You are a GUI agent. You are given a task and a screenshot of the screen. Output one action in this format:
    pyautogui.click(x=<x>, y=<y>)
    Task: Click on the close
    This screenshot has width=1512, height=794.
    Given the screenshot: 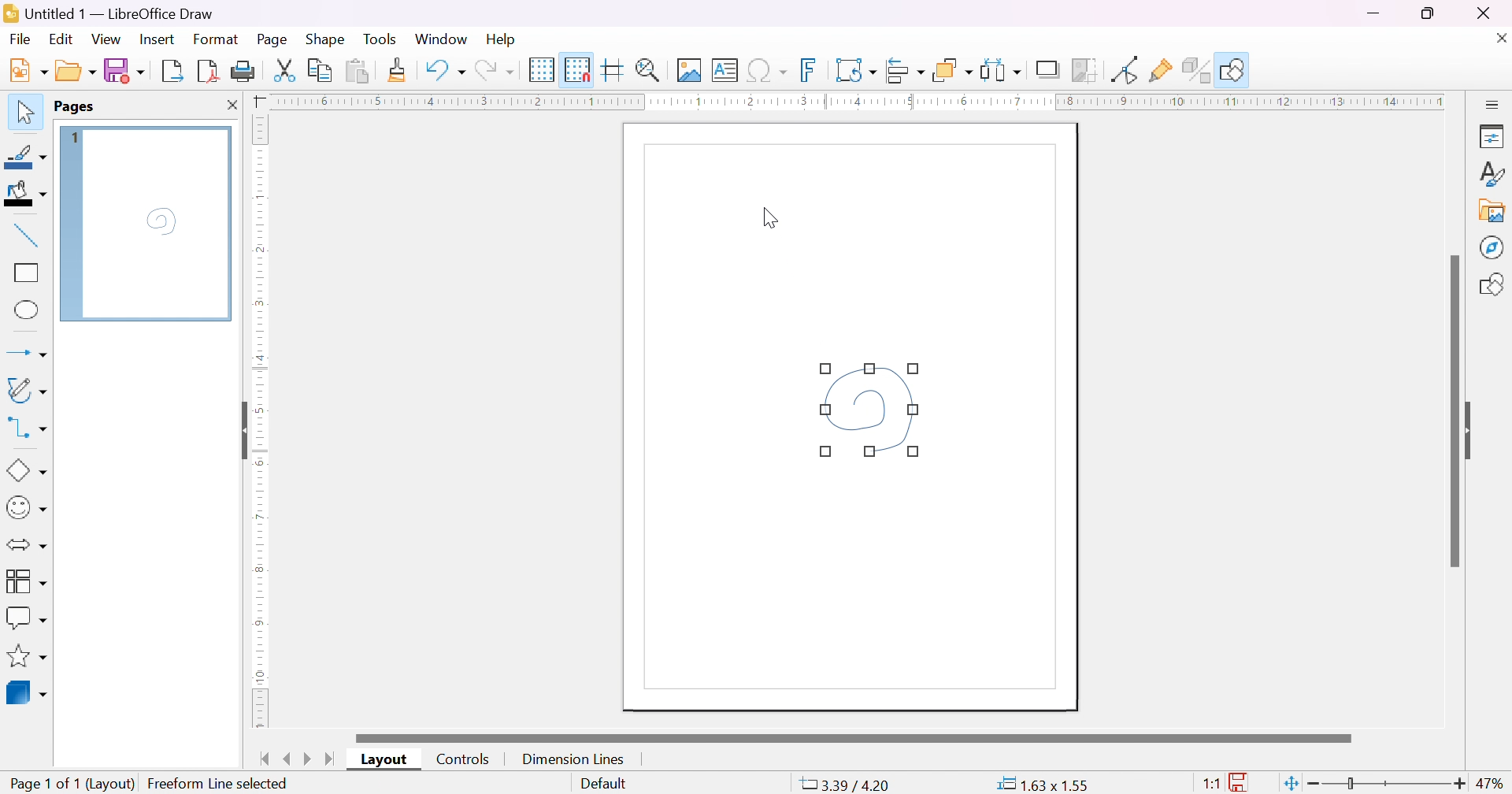 What is the action you would take?
    pyautogui.click(x=1482, y=11)
    